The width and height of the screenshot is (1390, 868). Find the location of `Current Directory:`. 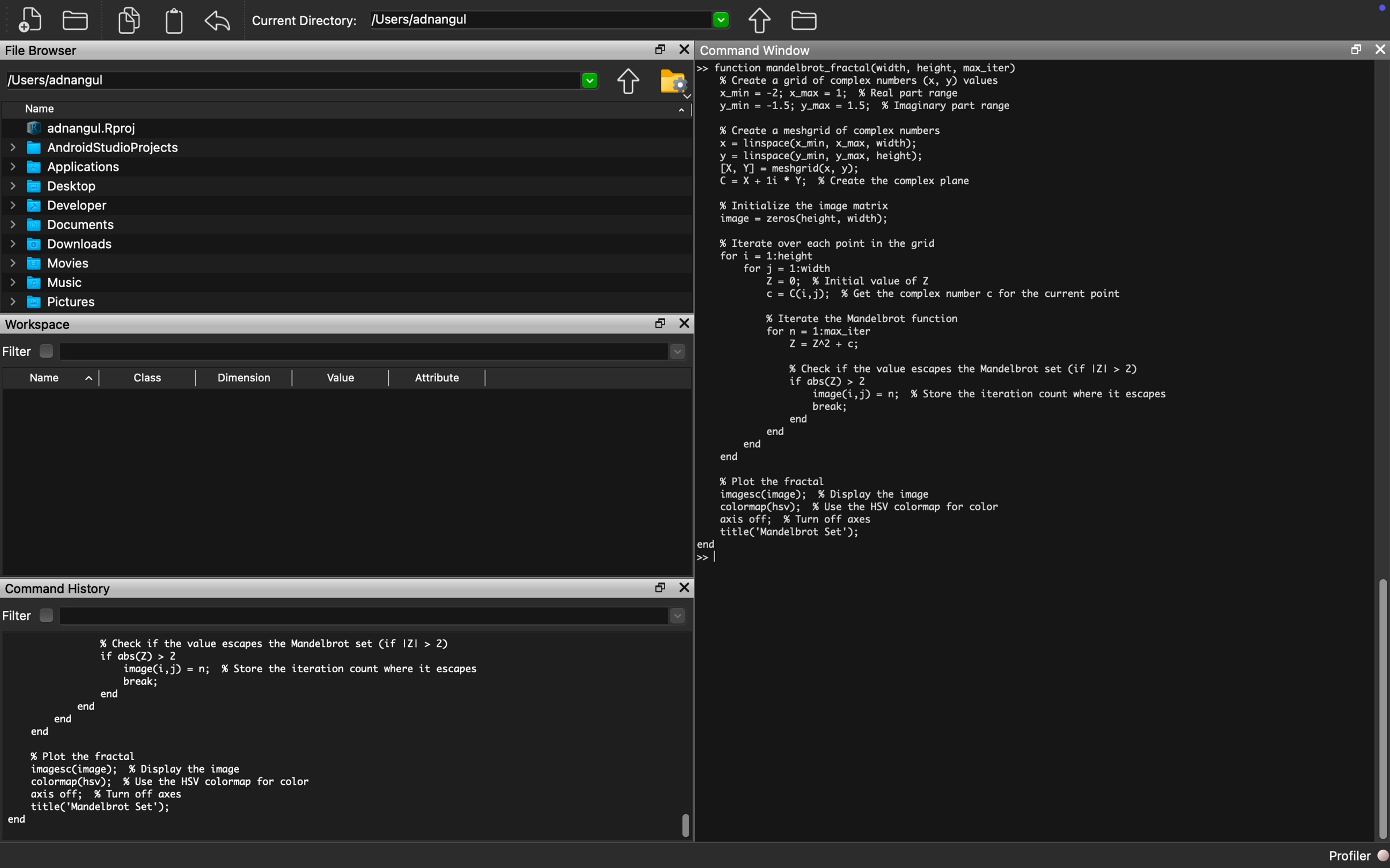

Current Directory: is located at coordinates (307, 20).